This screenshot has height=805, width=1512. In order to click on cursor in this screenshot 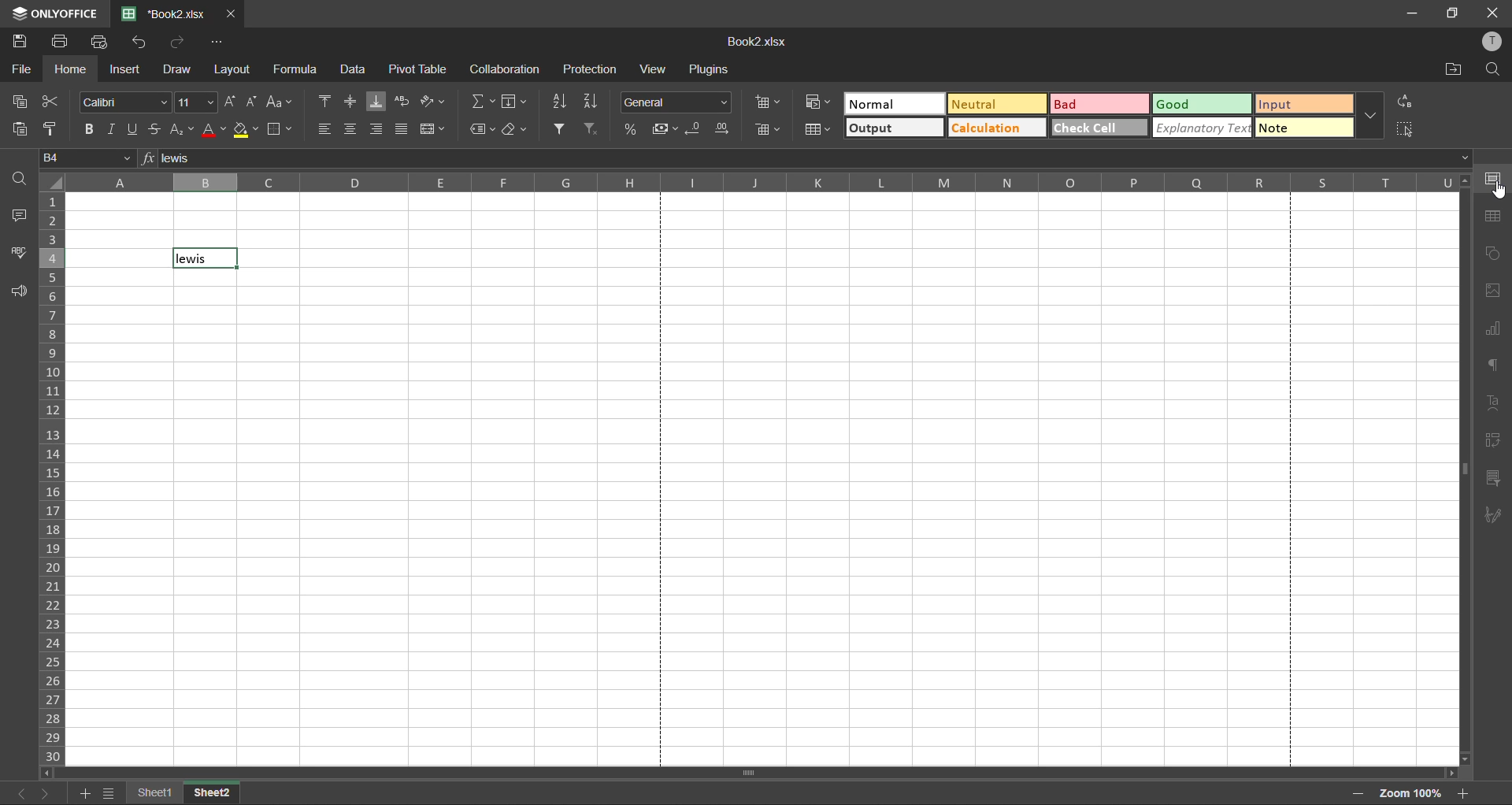, I will do `click(1501, 192)`.